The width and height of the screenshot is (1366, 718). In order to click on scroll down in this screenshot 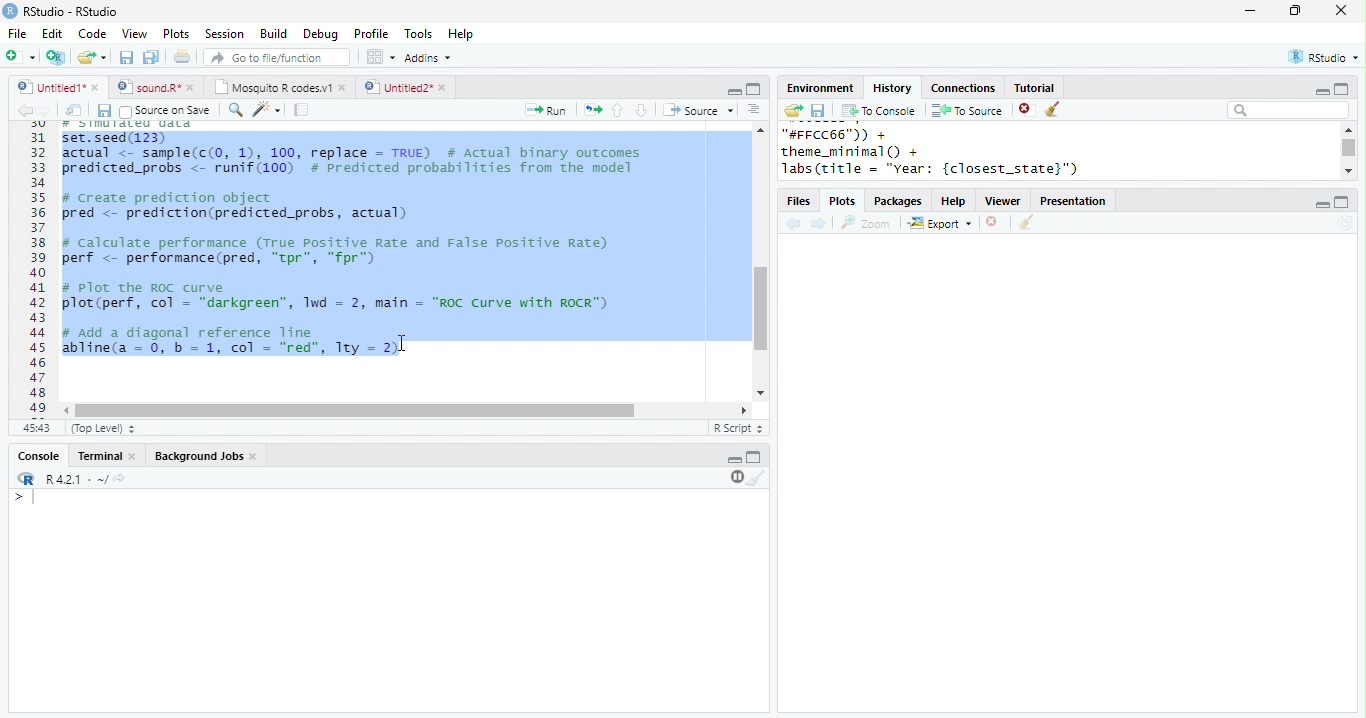, I will do `click(759, 393)`.